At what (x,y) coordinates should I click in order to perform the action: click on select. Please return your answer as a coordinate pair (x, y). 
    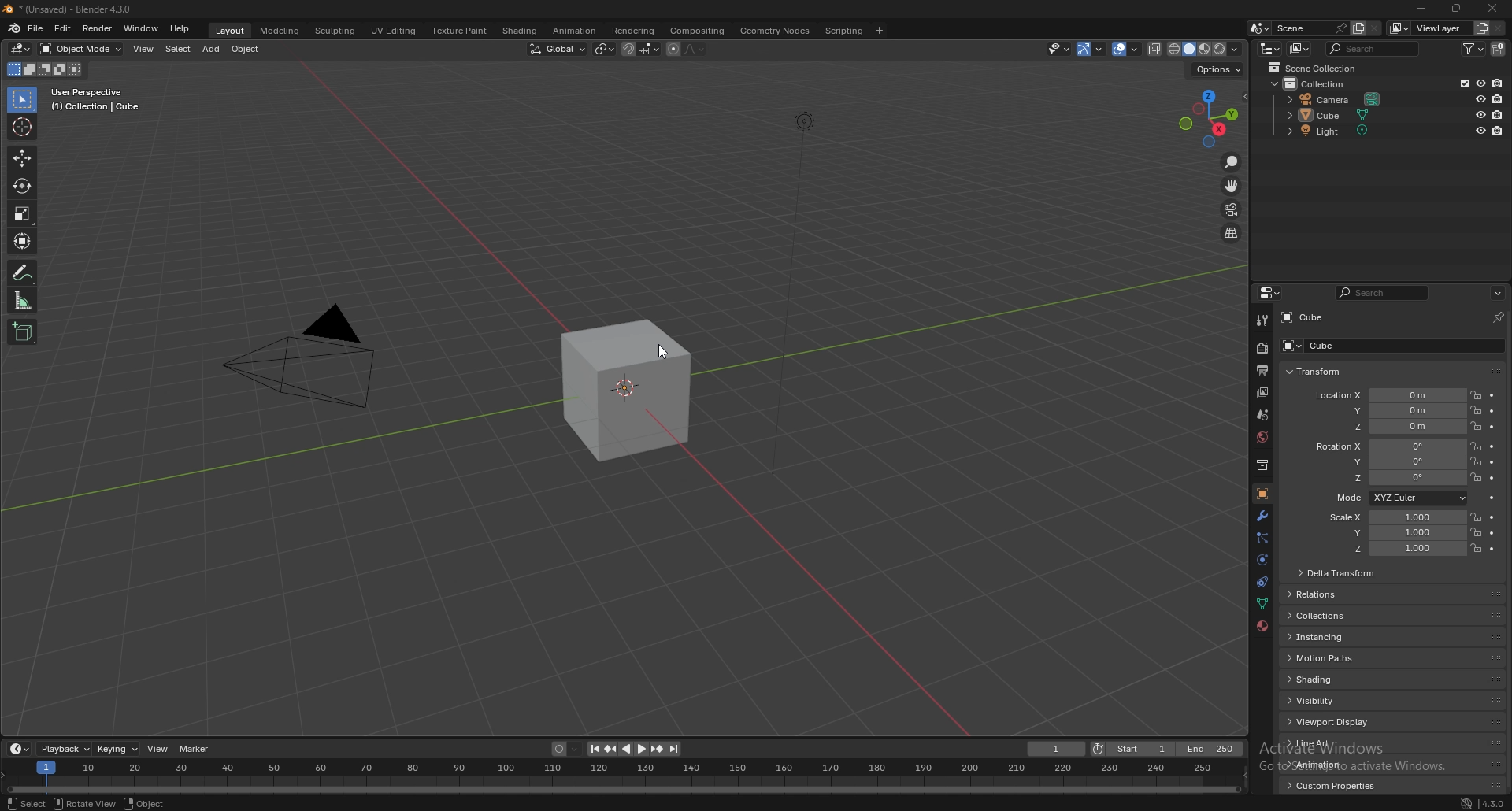
    Looking at the image, I should click on (177, 50).